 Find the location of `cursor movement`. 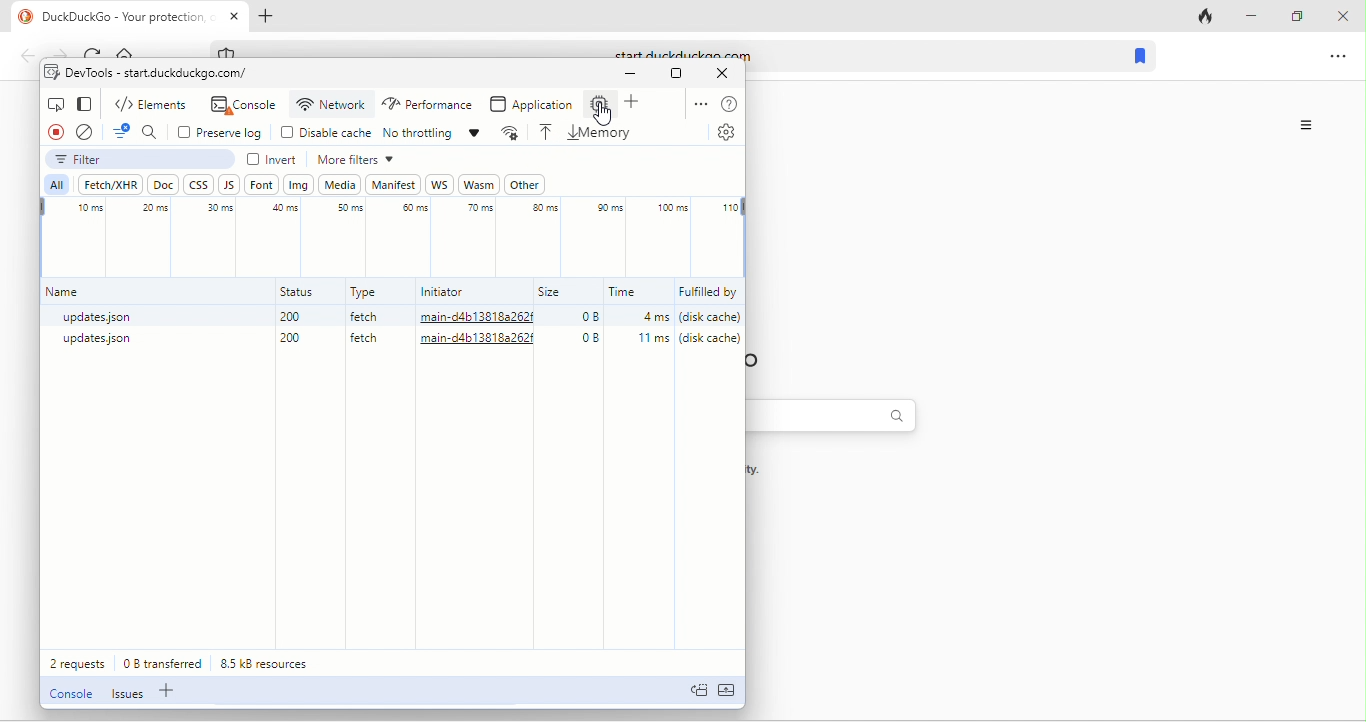

cursor movement is located at coordinates (606, 118).